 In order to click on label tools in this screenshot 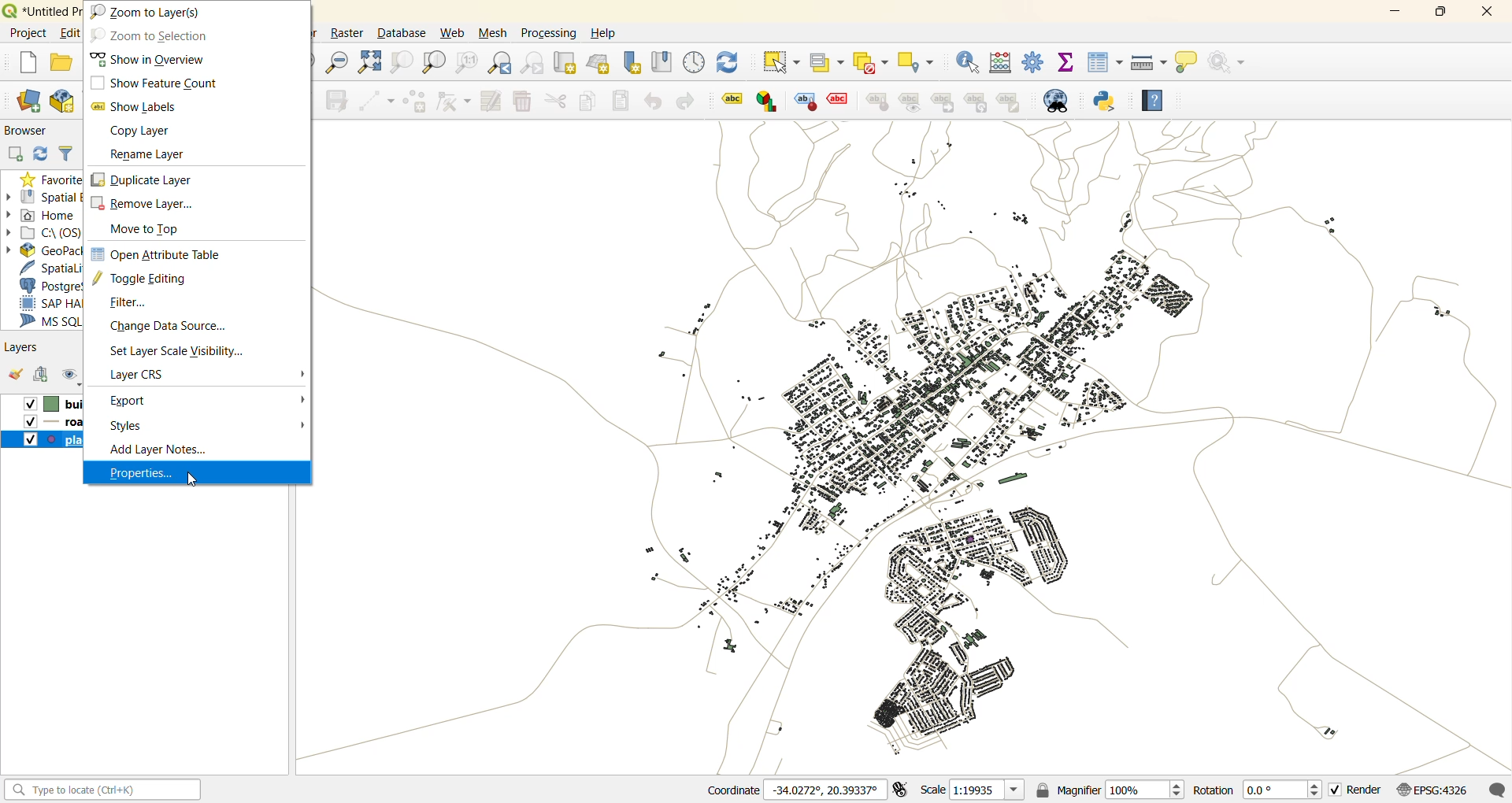, I will do `click(873, 103)`.